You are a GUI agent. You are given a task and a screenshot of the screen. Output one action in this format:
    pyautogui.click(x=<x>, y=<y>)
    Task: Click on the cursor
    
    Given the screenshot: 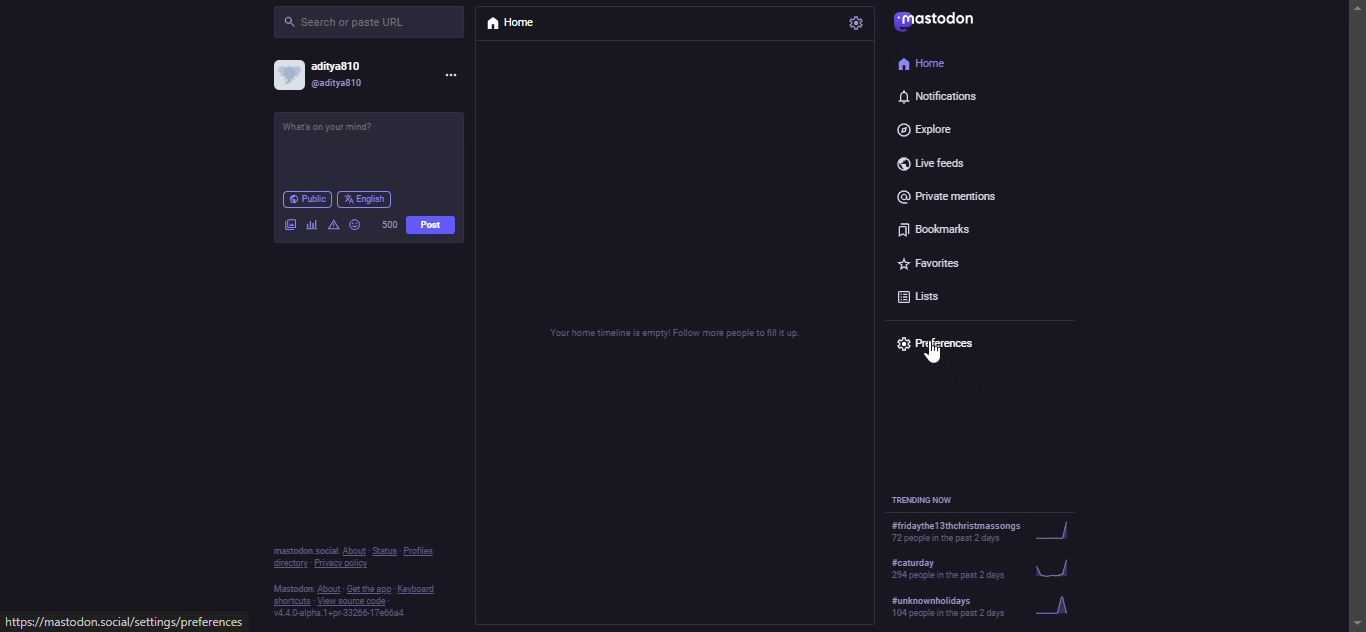 What is the action you would take?
    pyautogui.click(x=935, y=356)
    